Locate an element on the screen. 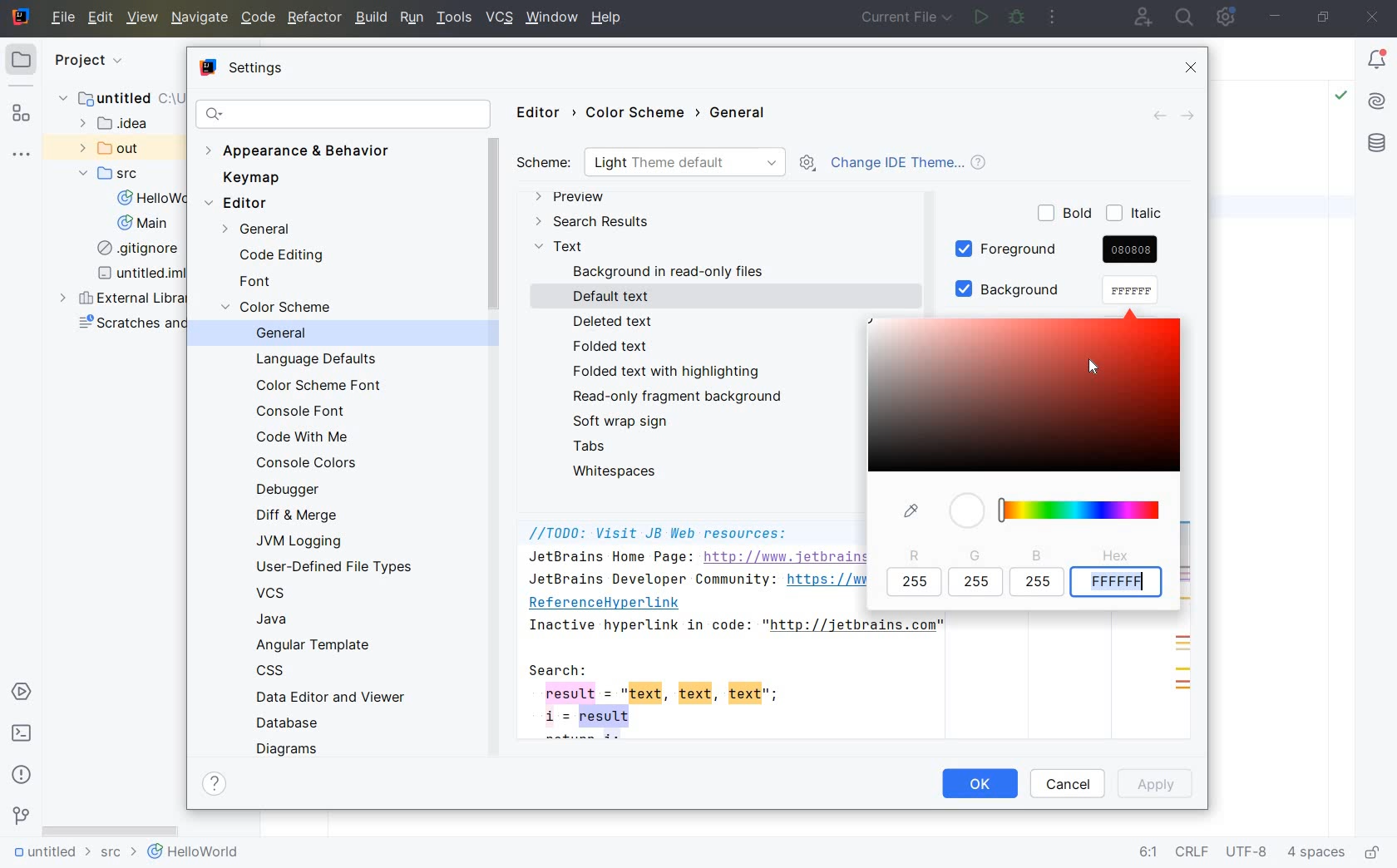  CLOSE is located at coordinates (1193, 68).